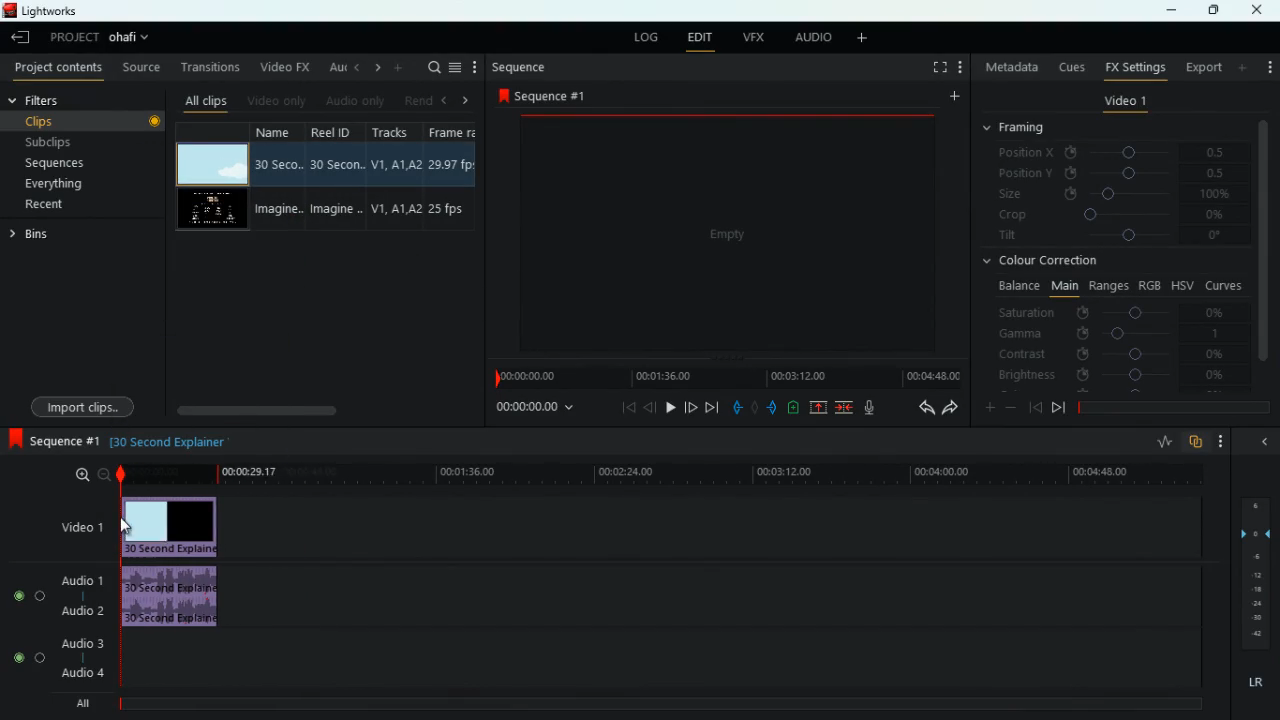 The width and height of the screenshot is (1280, 720). I want to click on battery, so click(793, 409).